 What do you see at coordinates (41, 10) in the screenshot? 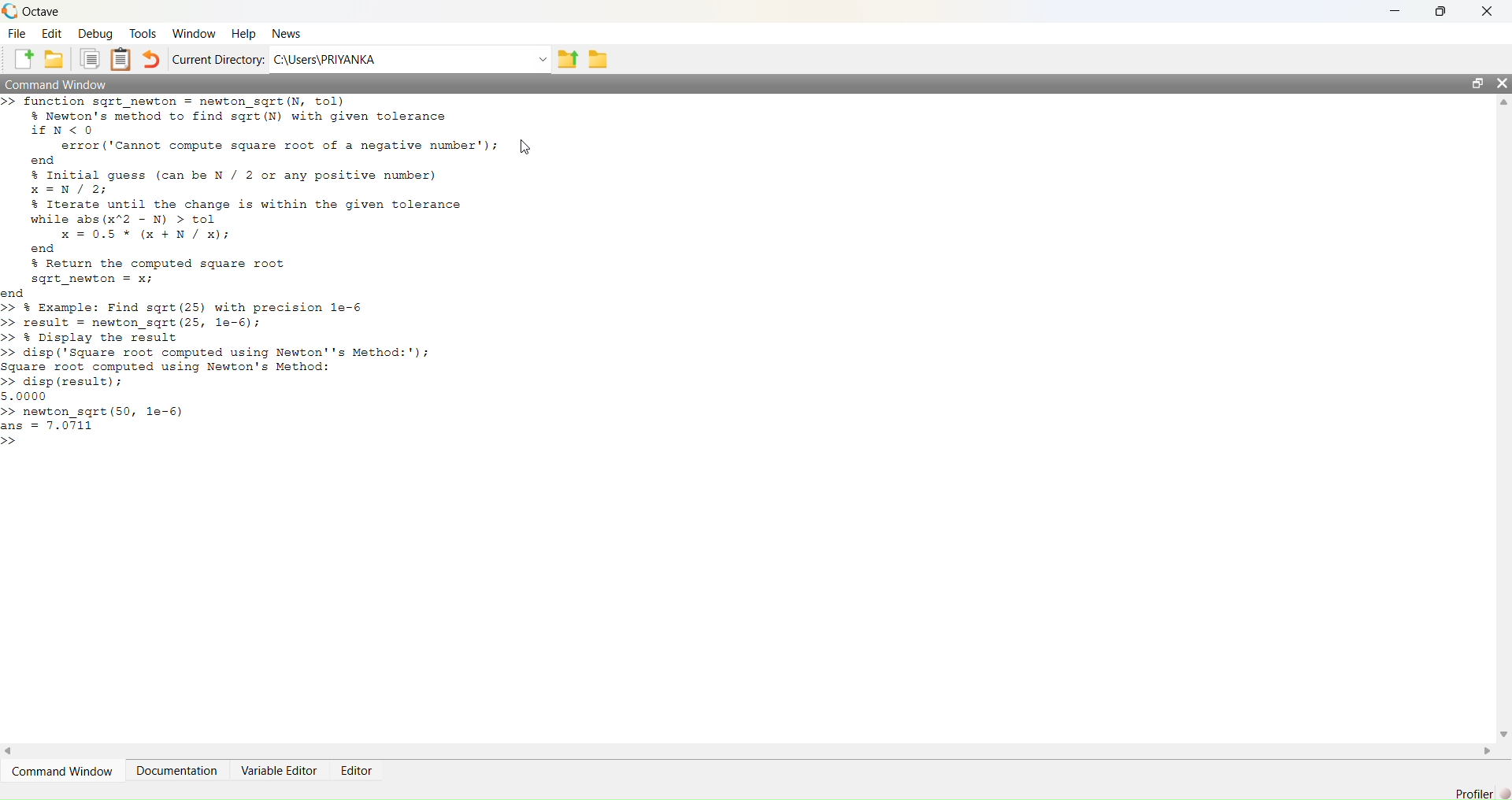
I see `Octave` at bounding box center [41, 10].